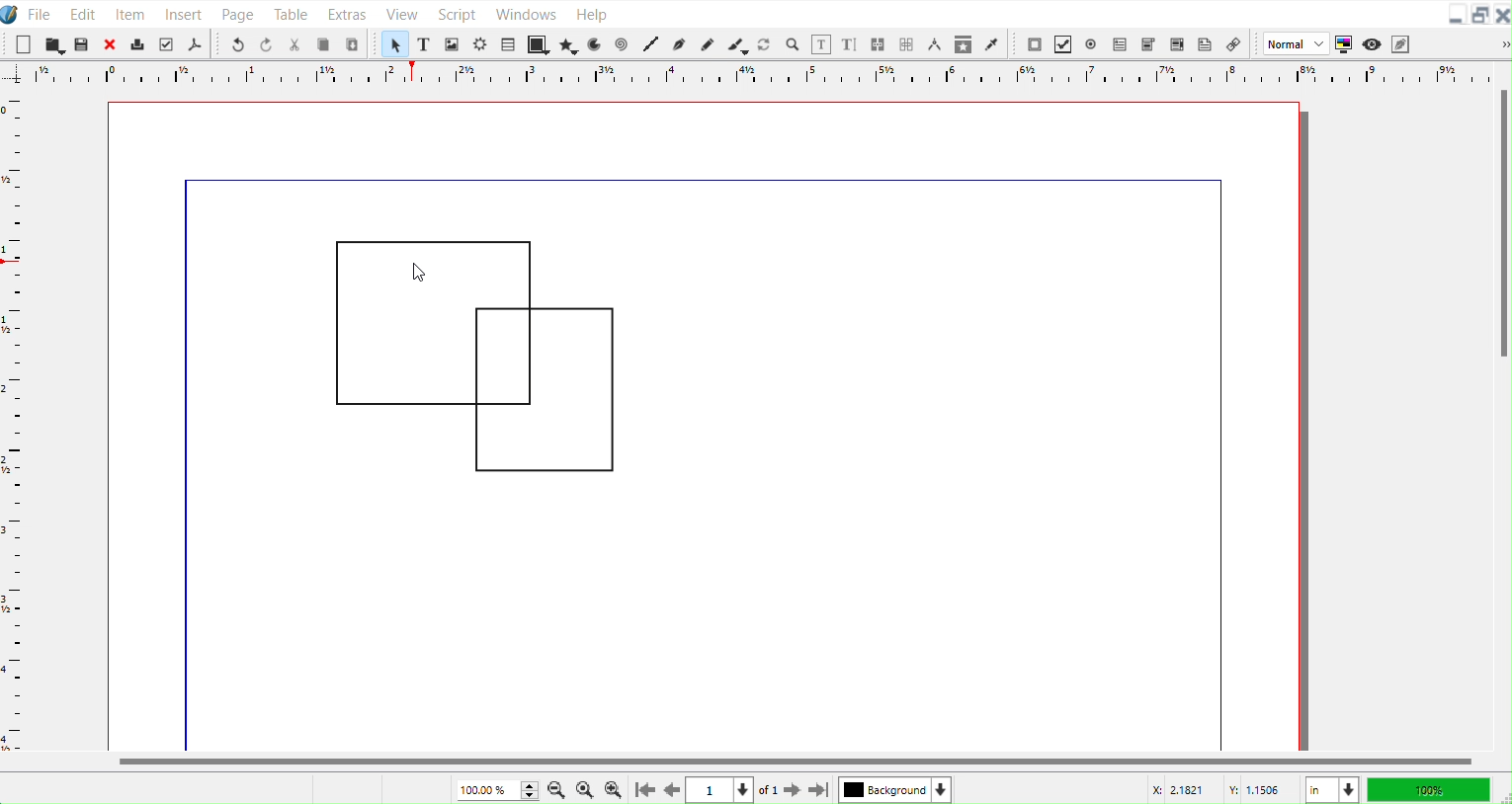 The image size is (1512, 804). Describe the element at coordinates (615, 790) in the screenshot. I see `Zoom In` at that location.